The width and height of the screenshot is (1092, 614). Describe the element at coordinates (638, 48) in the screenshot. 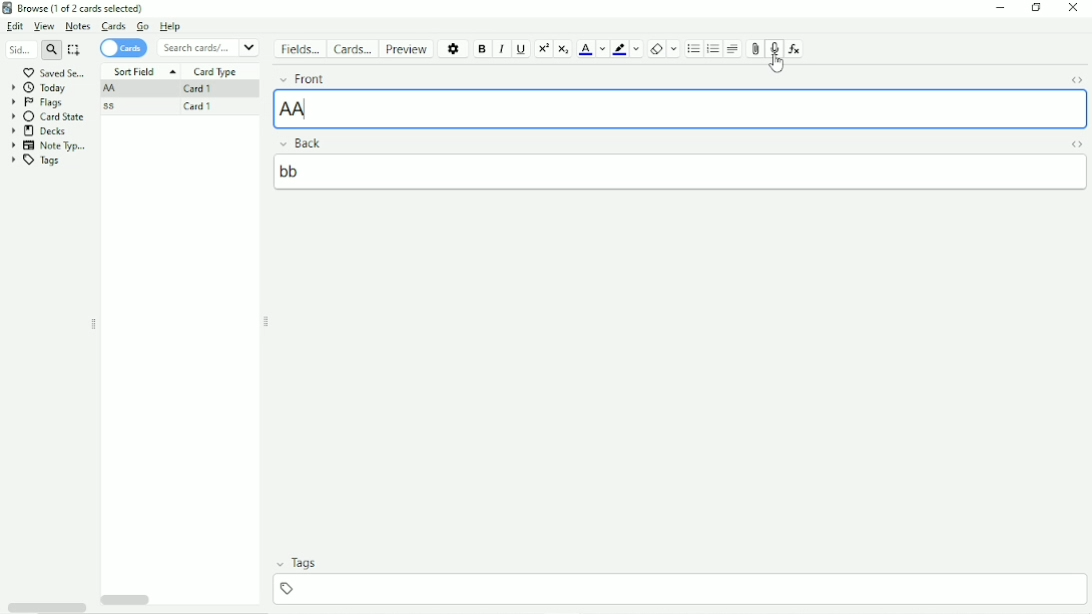

I see `Change color` at that location.